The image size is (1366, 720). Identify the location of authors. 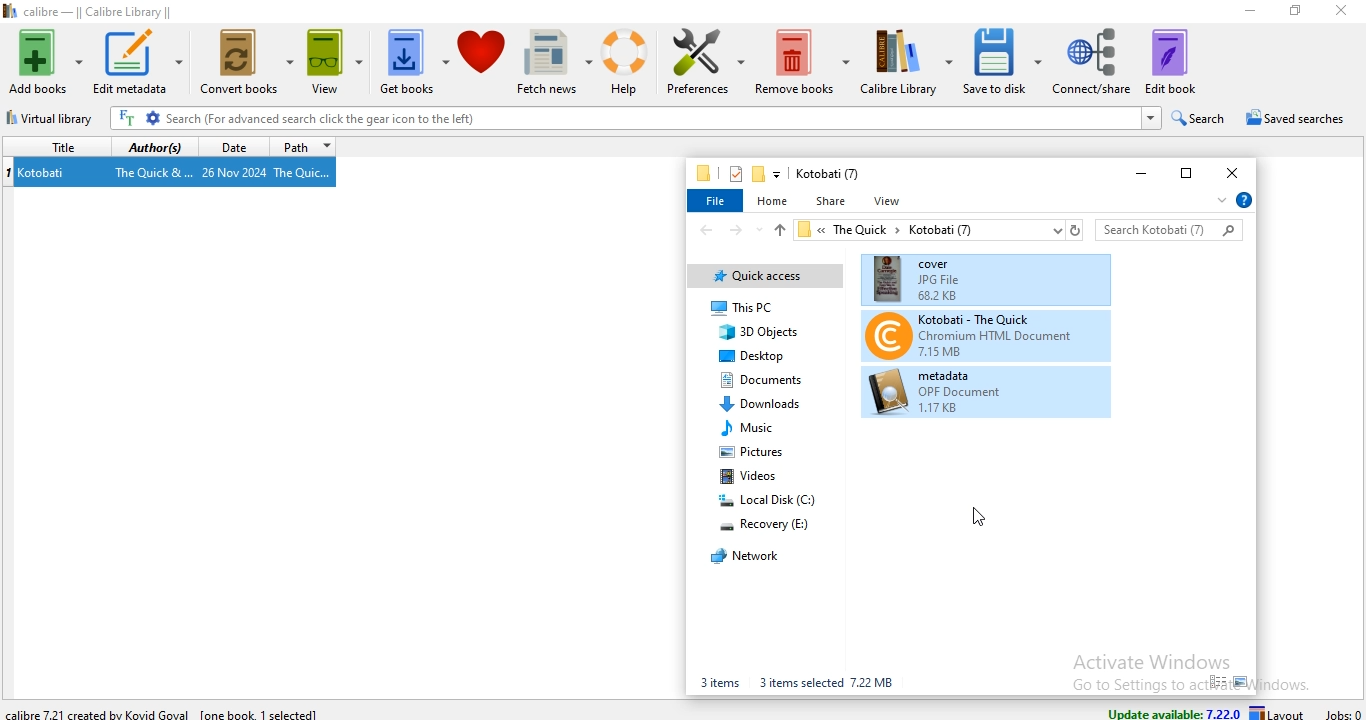
(154, 147).